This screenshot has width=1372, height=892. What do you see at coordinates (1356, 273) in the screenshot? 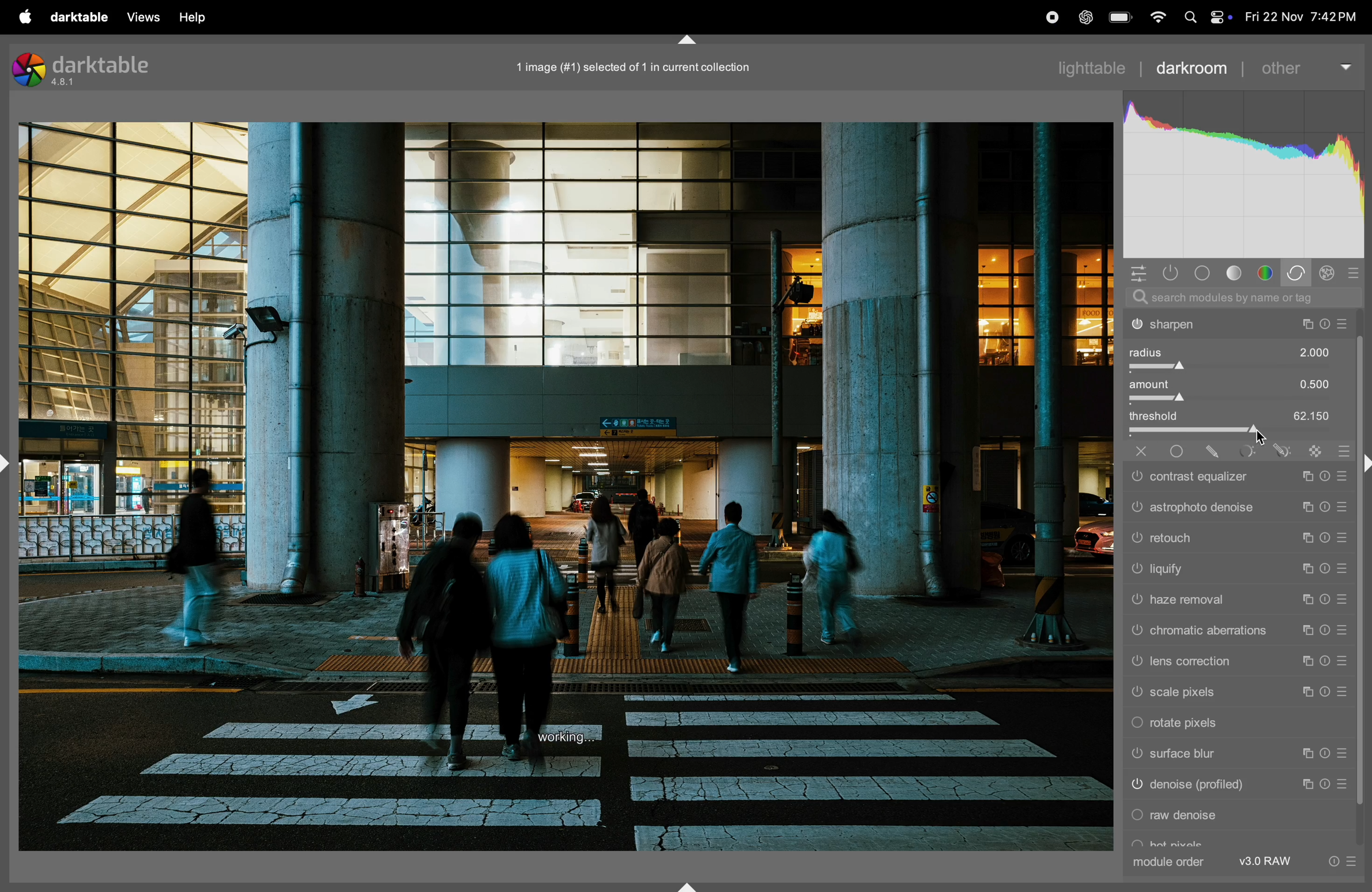
I see `reset` at bounding box center [1356, 273].